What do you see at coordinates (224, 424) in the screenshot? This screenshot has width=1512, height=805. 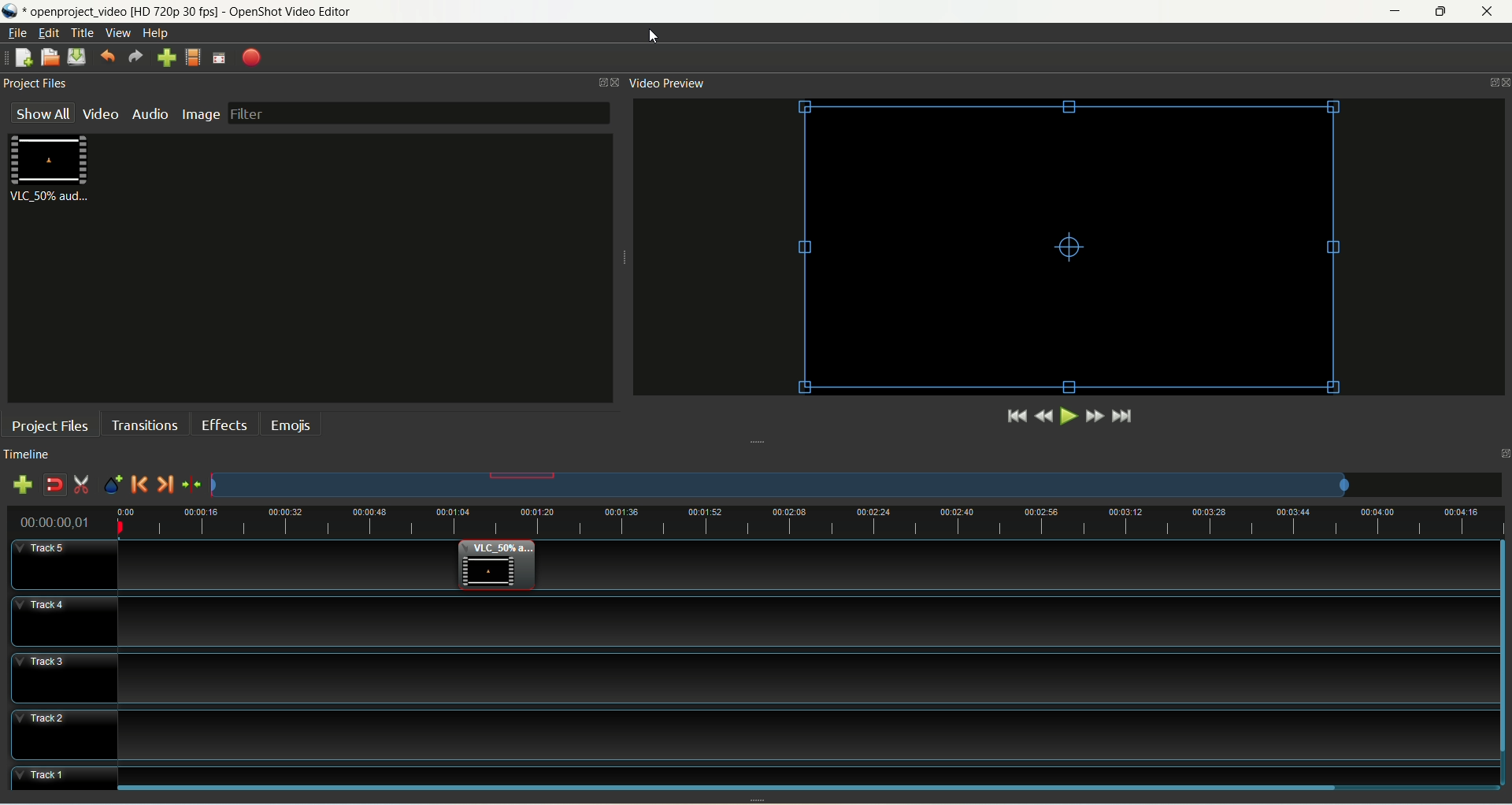 I see `effects` at bounding box center [224, 424].